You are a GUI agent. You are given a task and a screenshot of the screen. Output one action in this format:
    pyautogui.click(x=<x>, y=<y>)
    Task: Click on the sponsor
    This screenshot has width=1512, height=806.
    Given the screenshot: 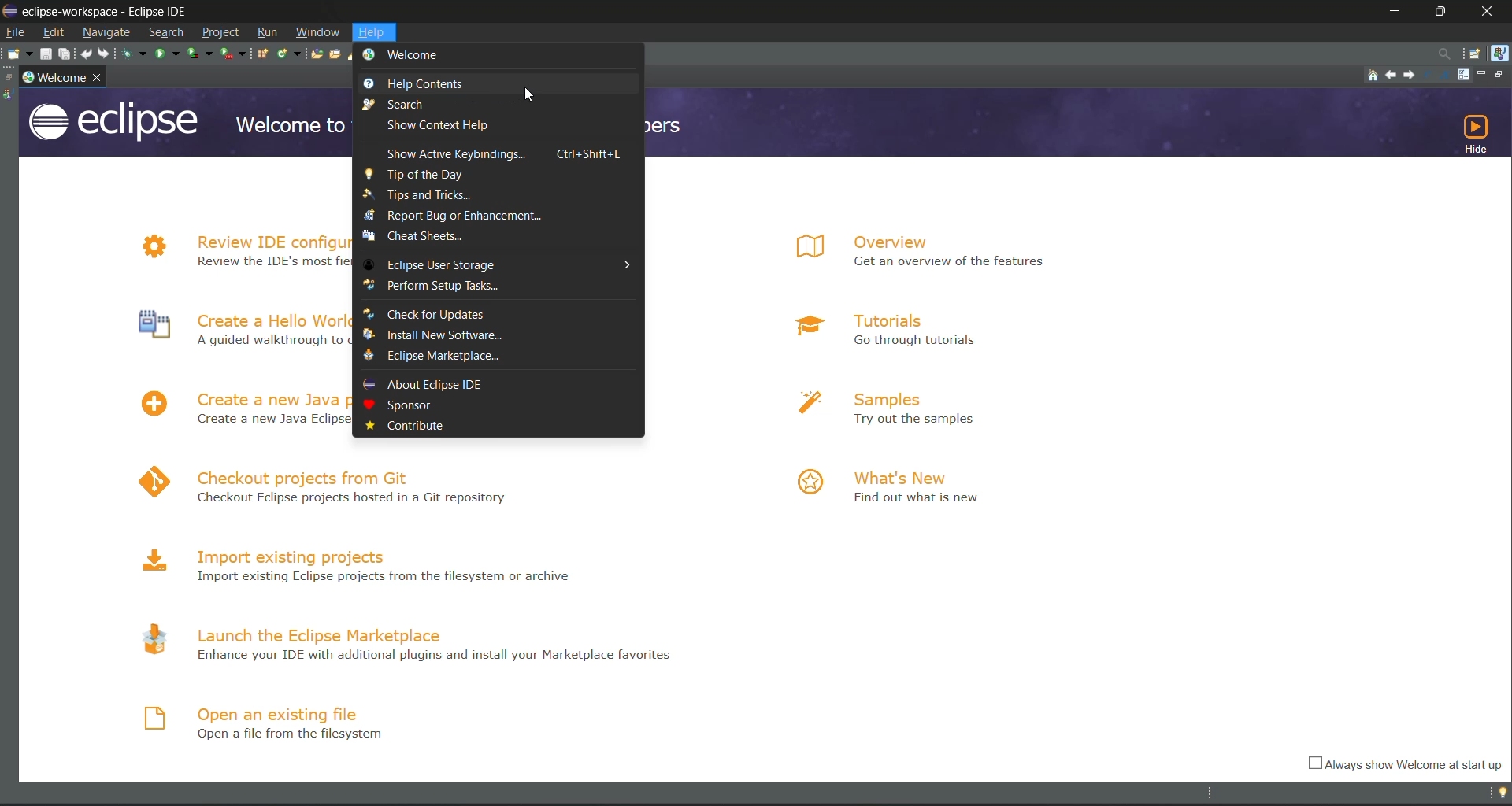 What is the action you would take?
    pyautogui.click(x=430, y=404)
    